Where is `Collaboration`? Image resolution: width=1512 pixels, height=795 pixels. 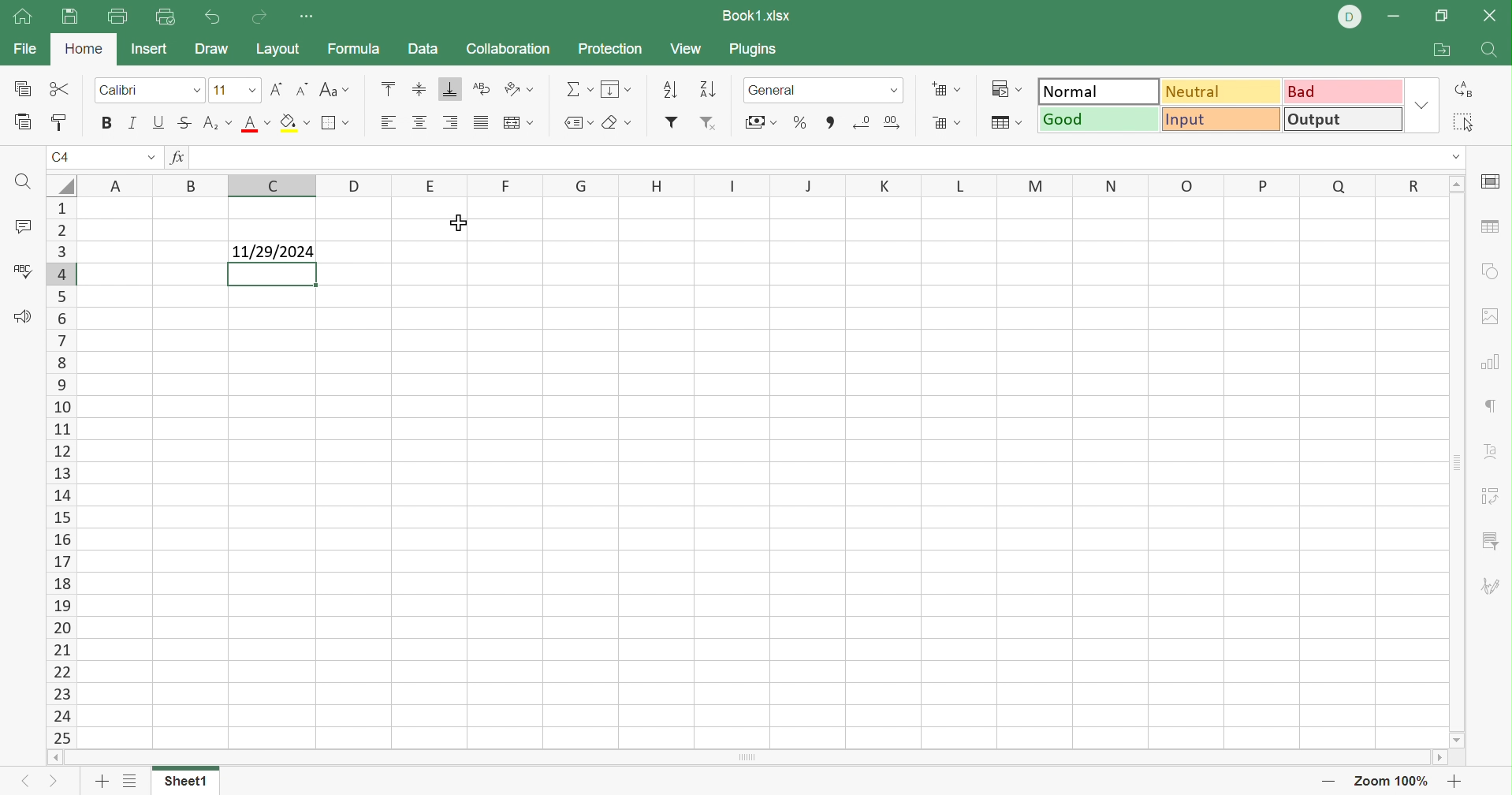 Collaboration is located at coordinates (511, 49).